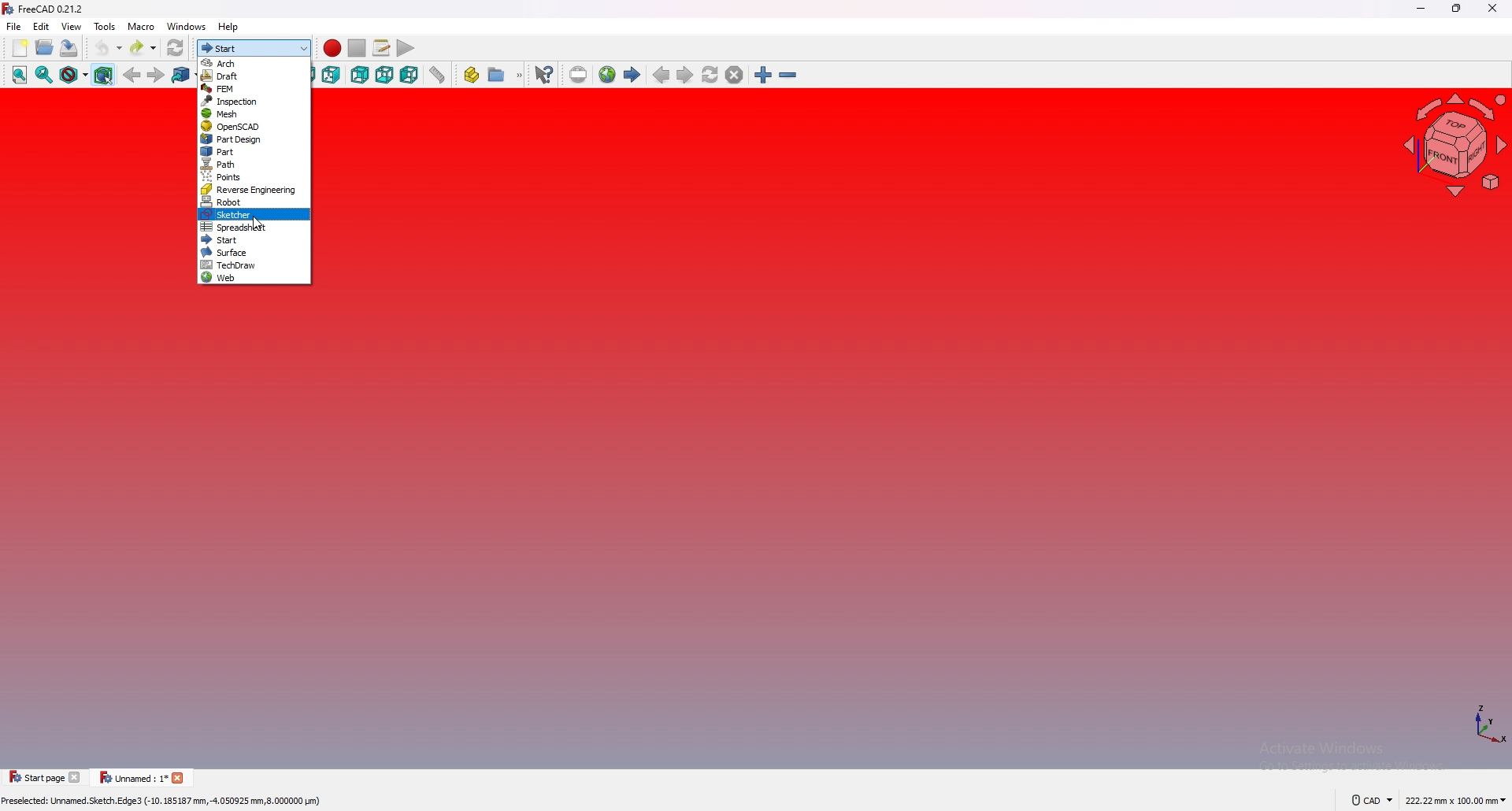 The image size is (1512, 811). I want to click on reverse engineering, so click(255, 189).